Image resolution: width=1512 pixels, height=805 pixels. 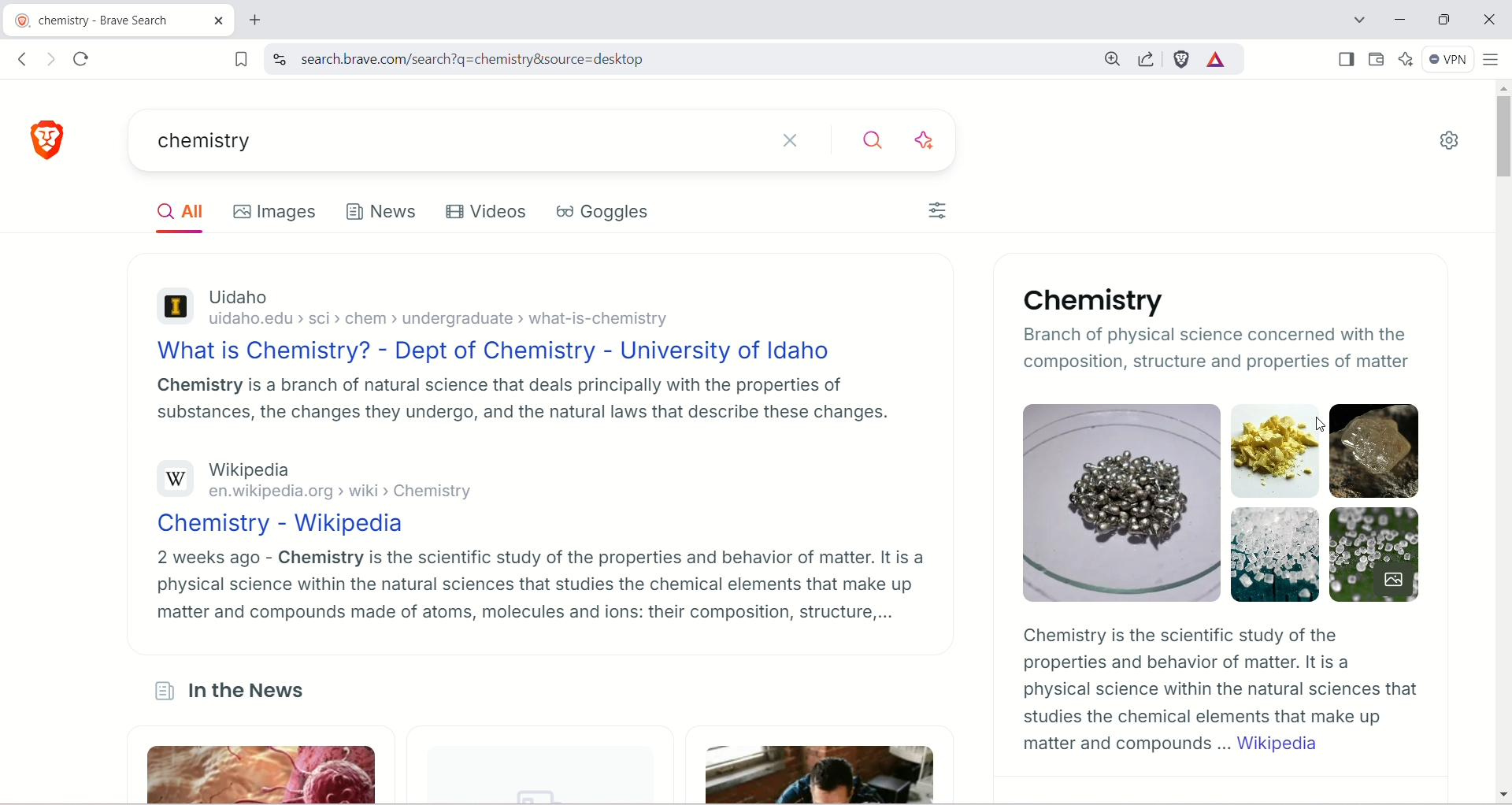 What do you see at coordinates (506, 351) in the screenshot?
I see `What is Chemistry? - Dept of Chemistry - University of Idaho` at bounding box center [506, 351].